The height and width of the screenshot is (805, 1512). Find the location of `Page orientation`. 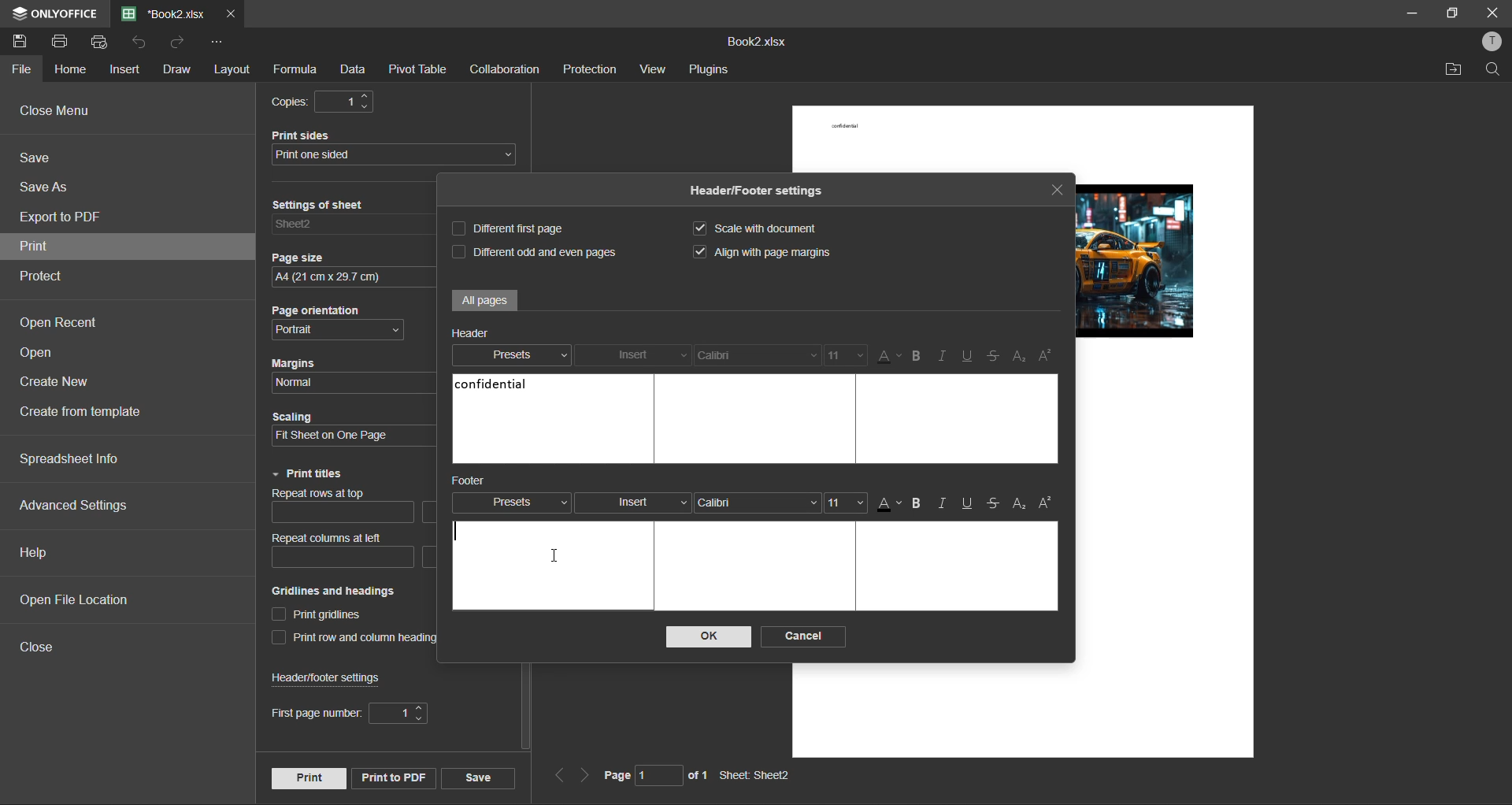

Page orientation is located at coordinates (314, 310).